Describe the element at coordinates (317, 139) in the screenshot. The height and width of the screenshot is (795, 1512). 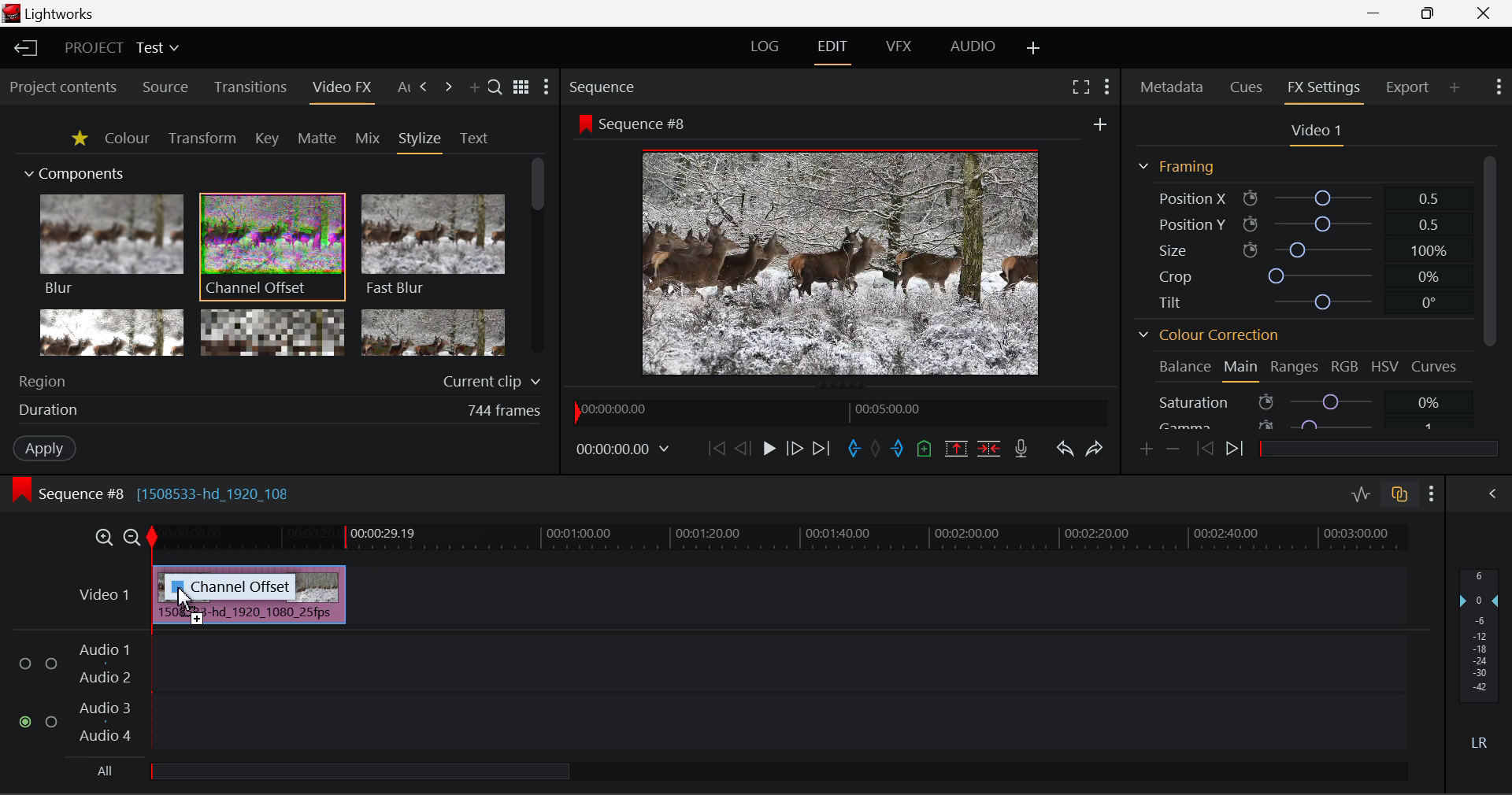
I see `Matte` at that location.